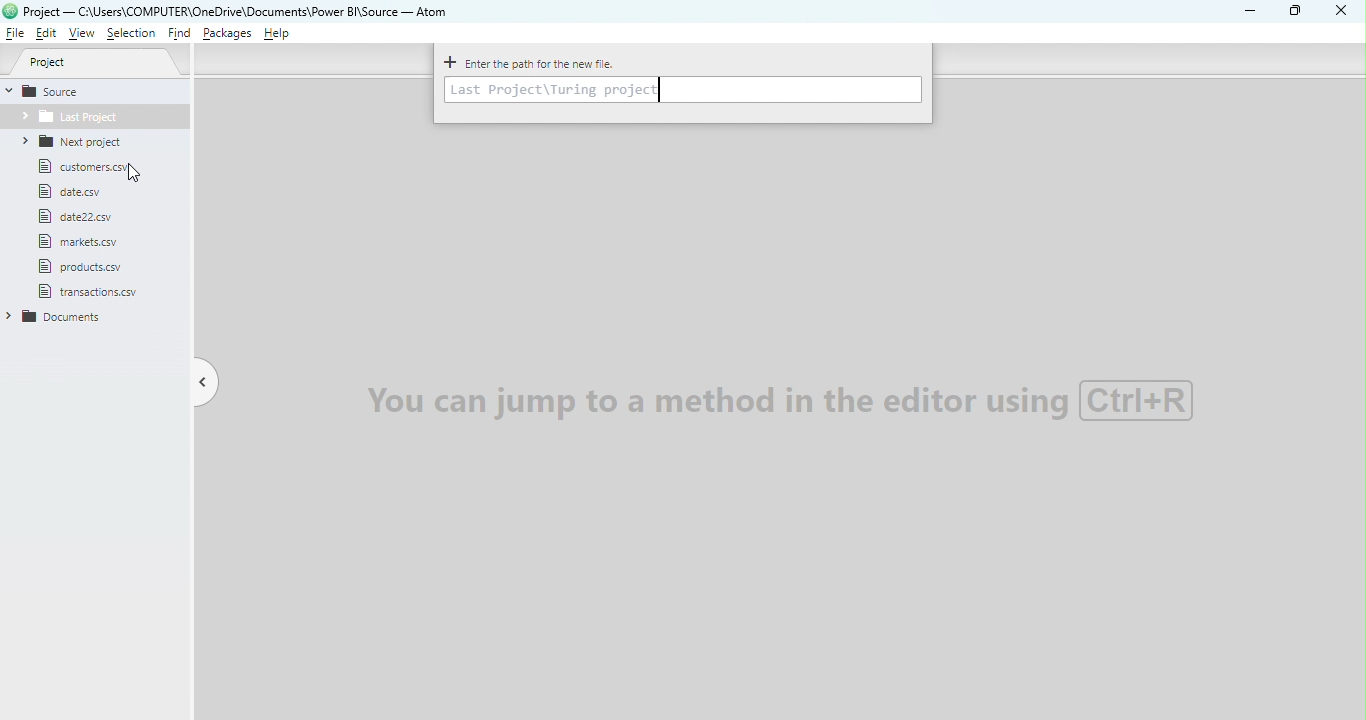 The width and height of the screenshot is (1366, 720). I want to click on Selection, so click(131, 34).